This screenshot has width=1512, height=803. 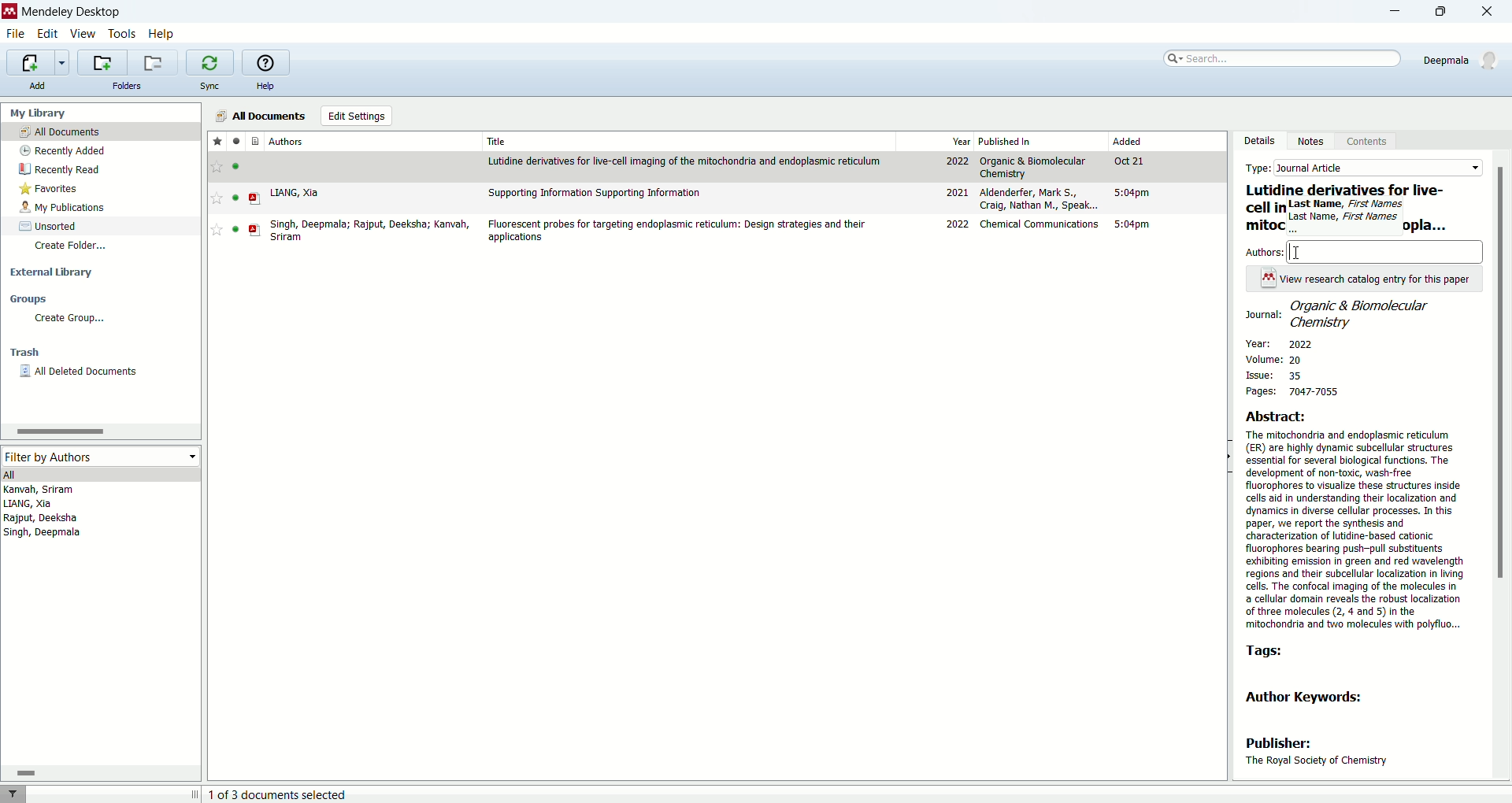 What do you see at coordinates (217, 167) in the screenshot?
I see `favourite` at bounding box center [217, 167].